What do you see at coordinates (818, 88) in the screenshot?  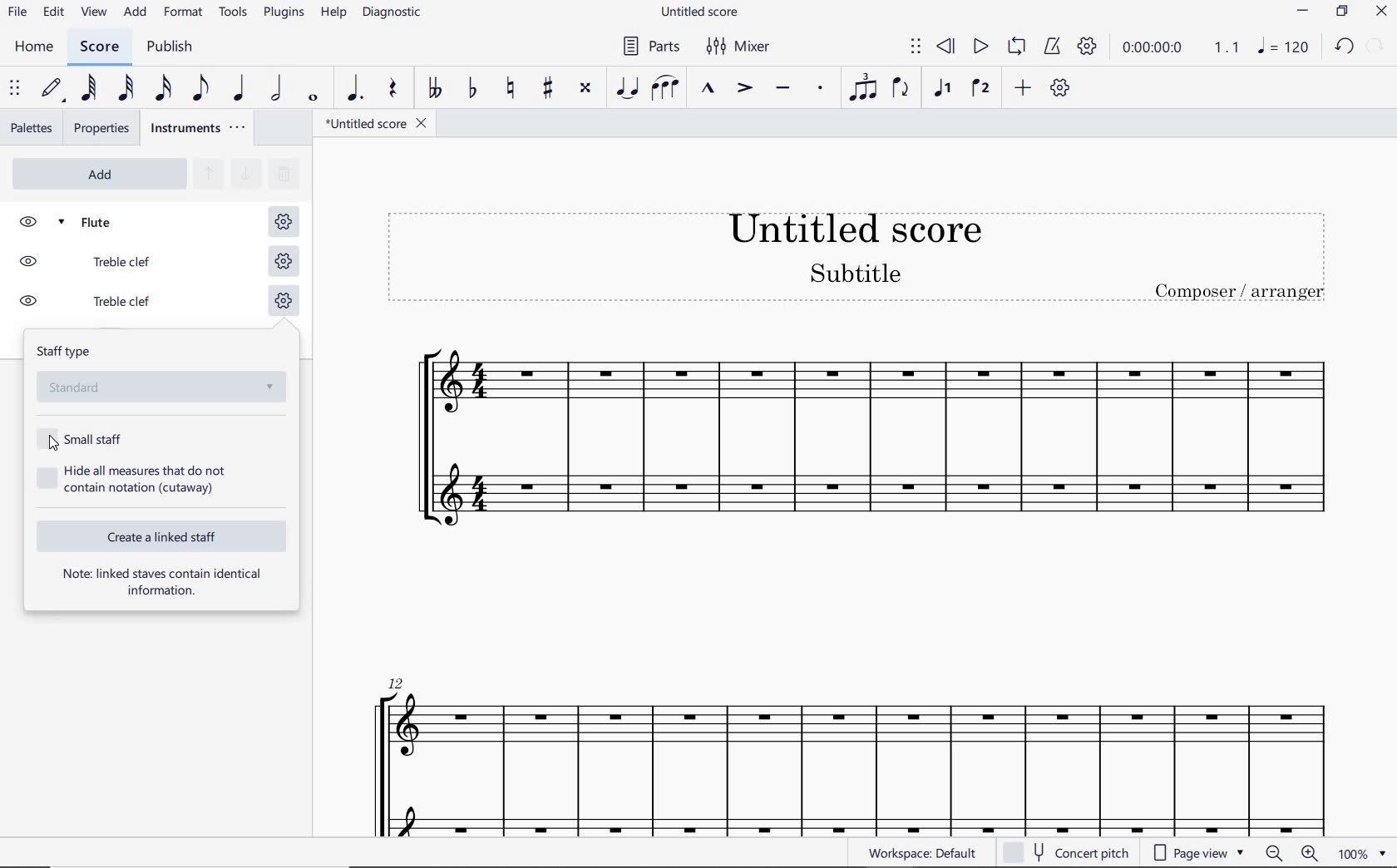 I see `STACCATO` at bounding box center [818, 88].